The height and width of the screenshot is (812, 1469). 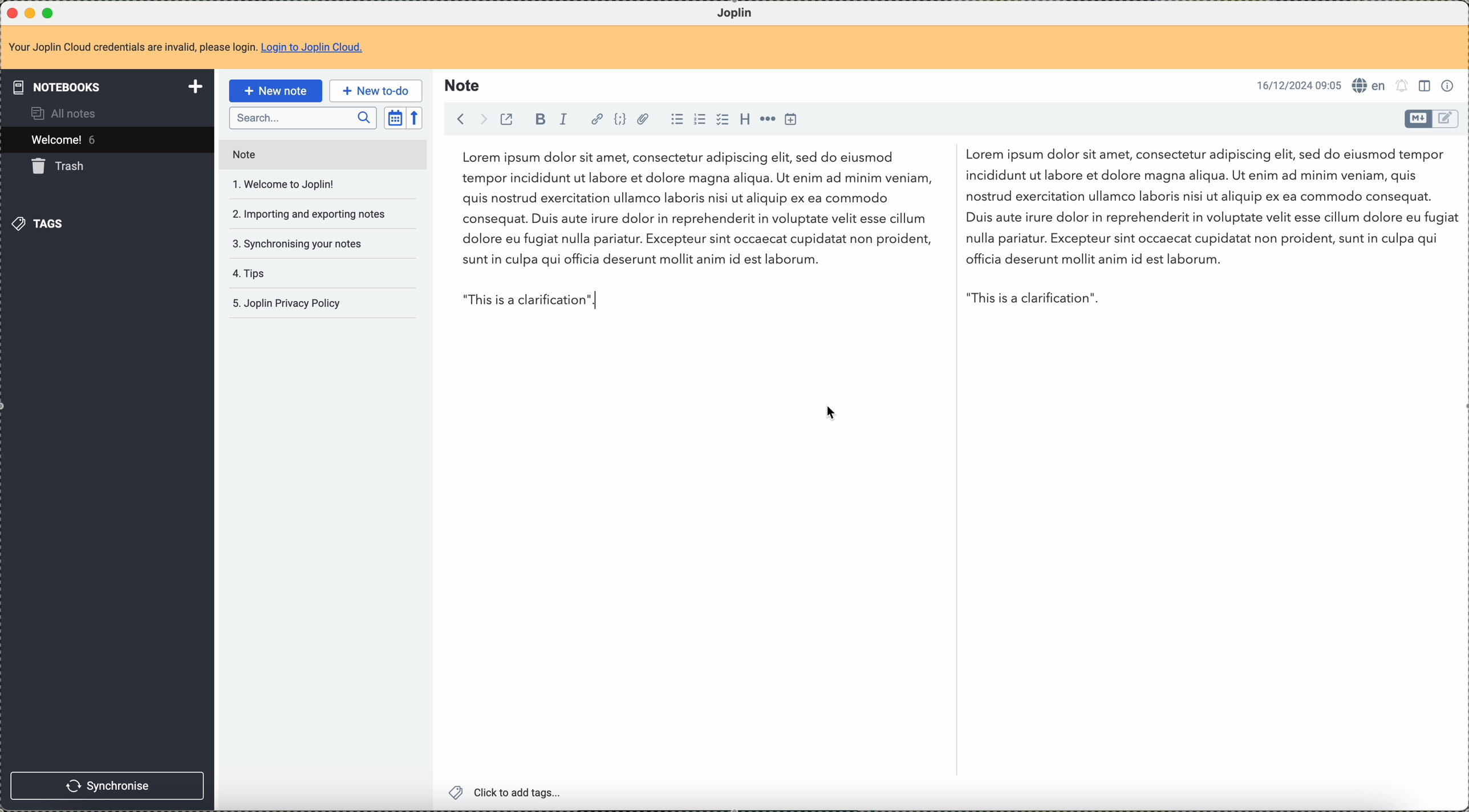 What do you see at coordinates (480, 119) in the screenshot?
I see `foward` at bounding box center [480, 119].